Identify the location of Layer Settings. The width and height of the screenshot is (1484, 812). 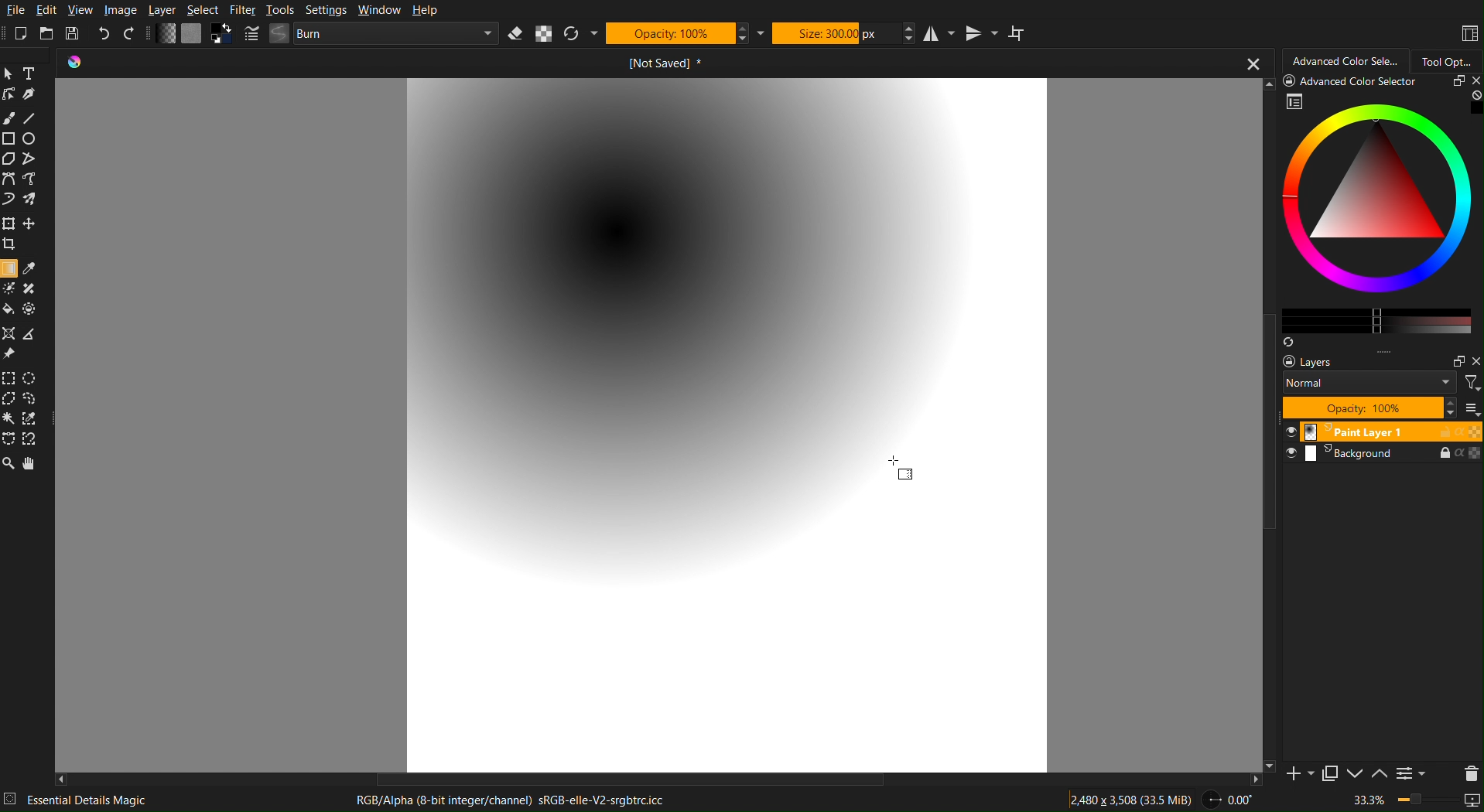
(1381, 387).